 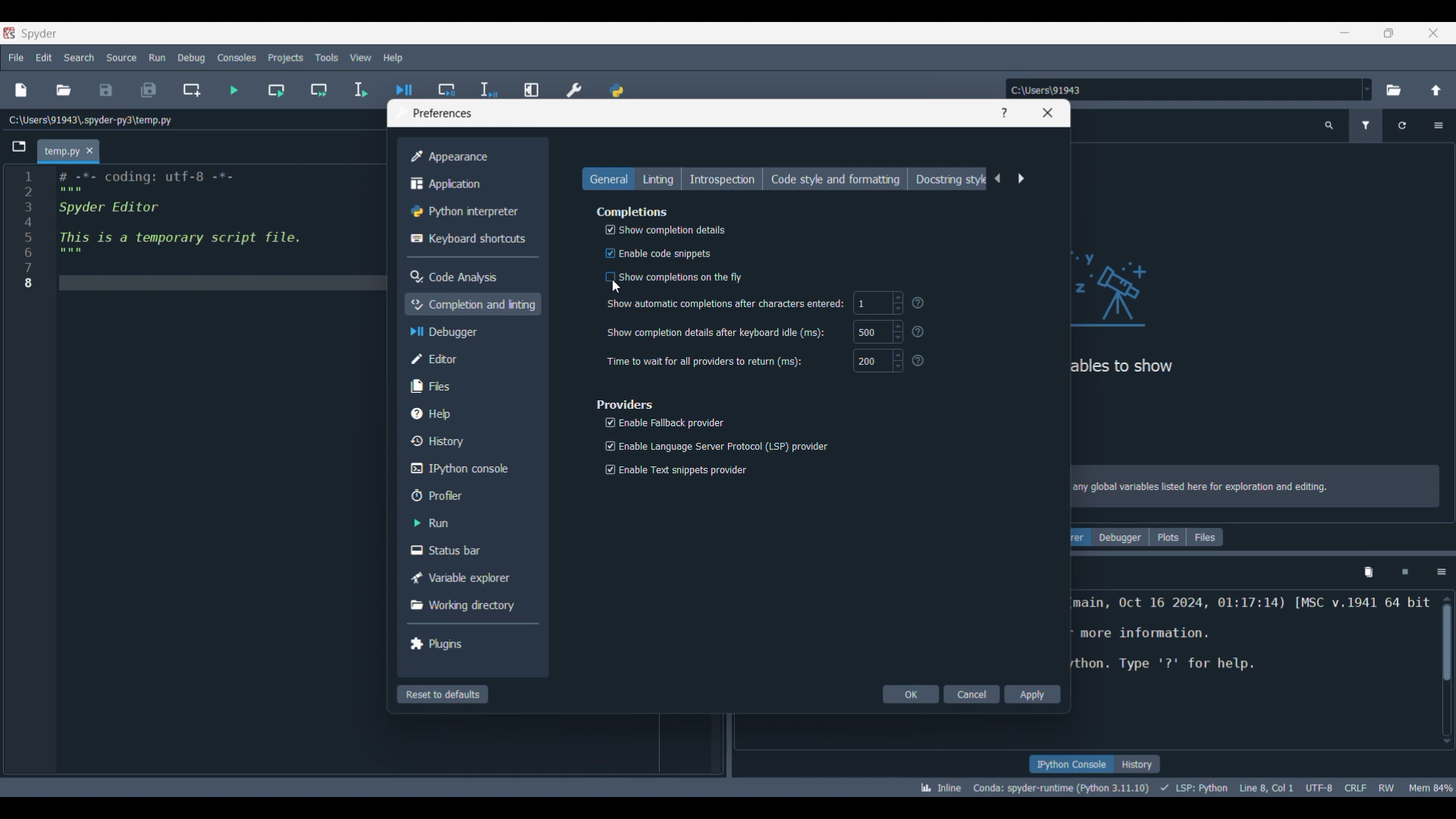 I want to click on 500, so click(x=877, y=331).